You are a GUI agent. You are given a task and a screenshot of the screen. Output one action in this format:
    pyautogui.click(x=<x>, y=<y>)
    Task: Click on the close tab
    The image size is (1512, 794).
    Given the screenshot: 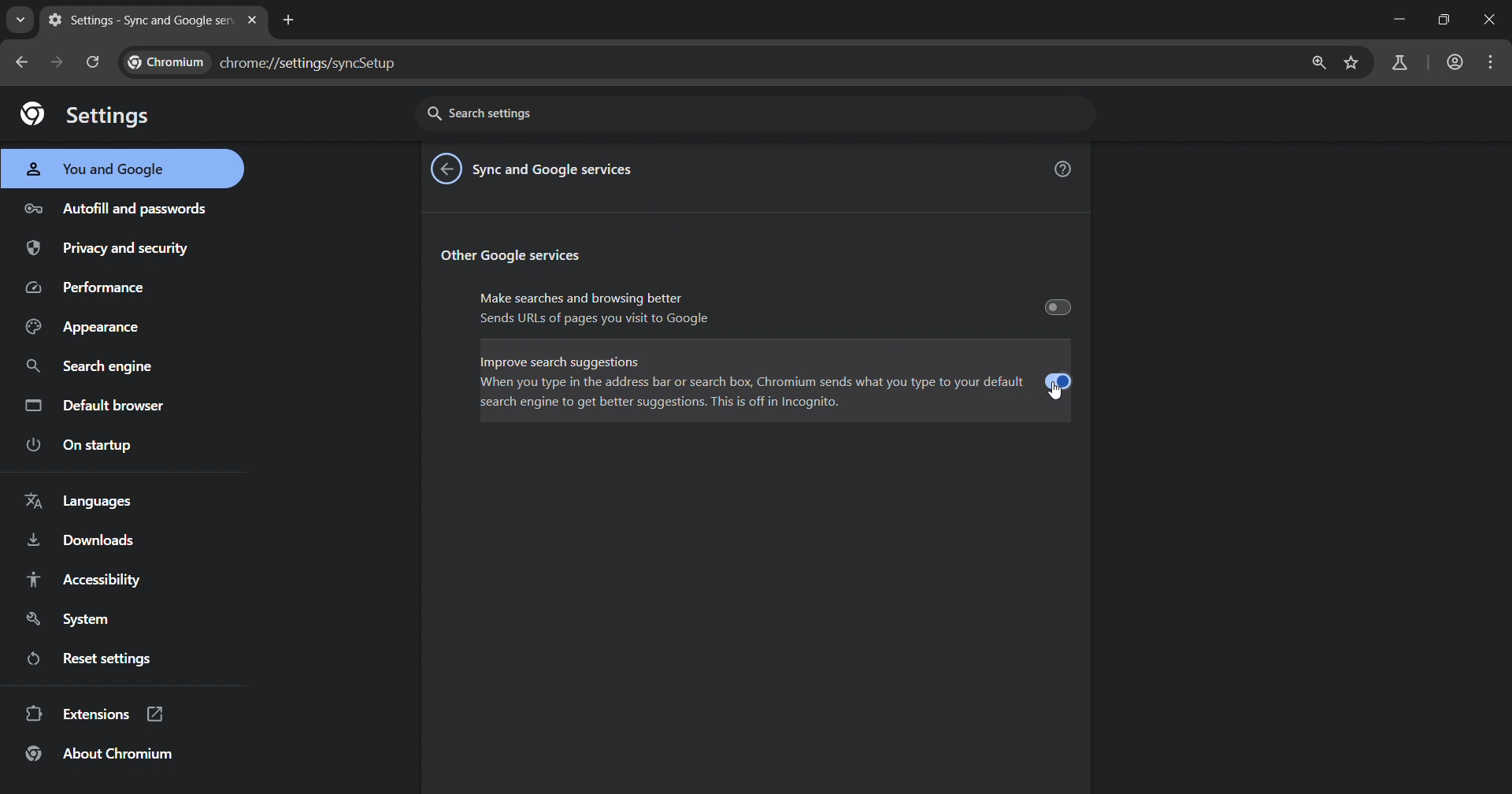 What is the action you would take?
    pyautogui.click(x=252, y=20)
    